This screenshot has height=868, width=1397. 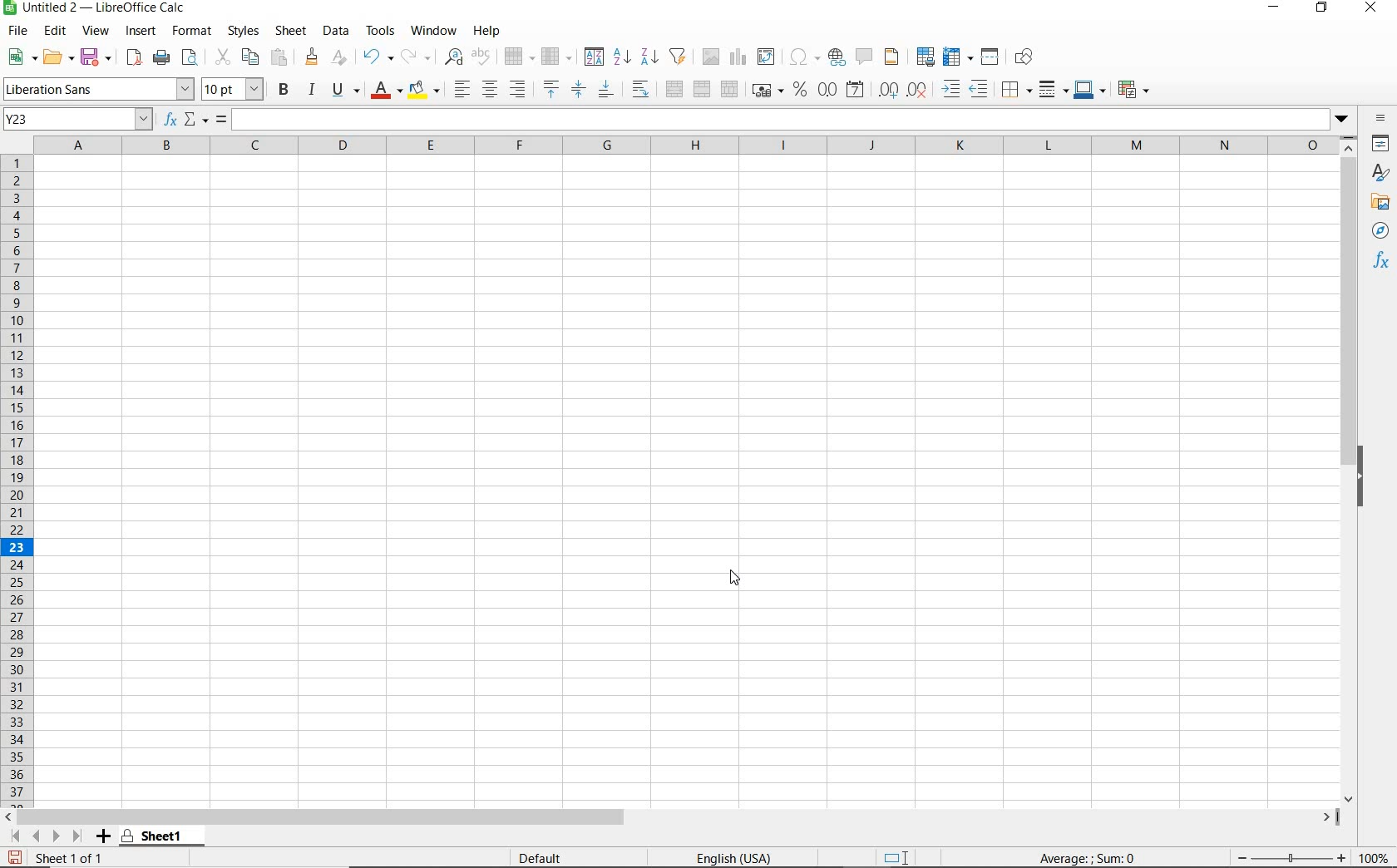 What do you see at coordinates (57, 858) in the screenshot?
I see `Sheet 1 of 1` at bounding box center [57, 858].